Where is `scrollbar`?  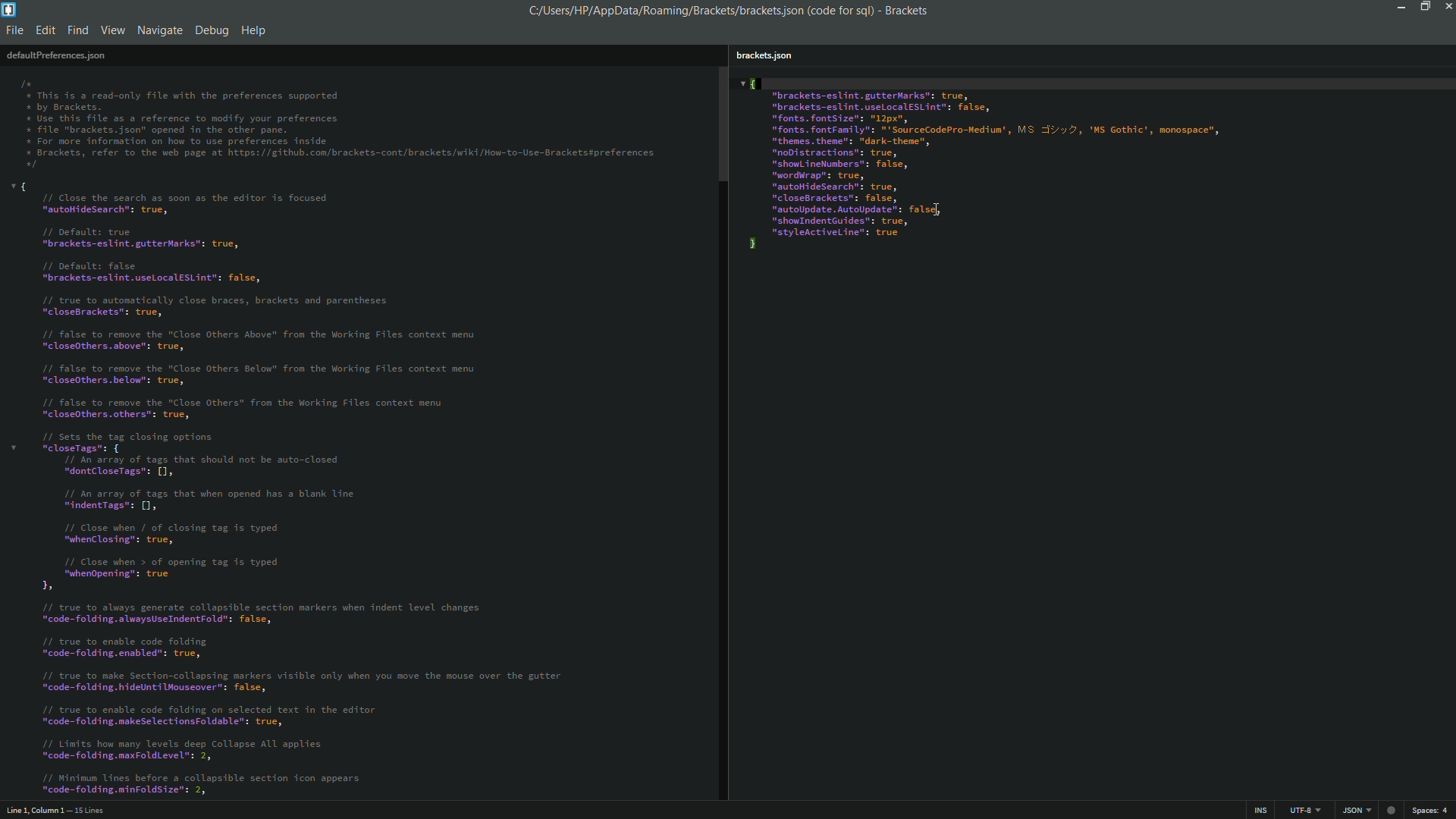
scrollbar is located at coordinates (720, 124).